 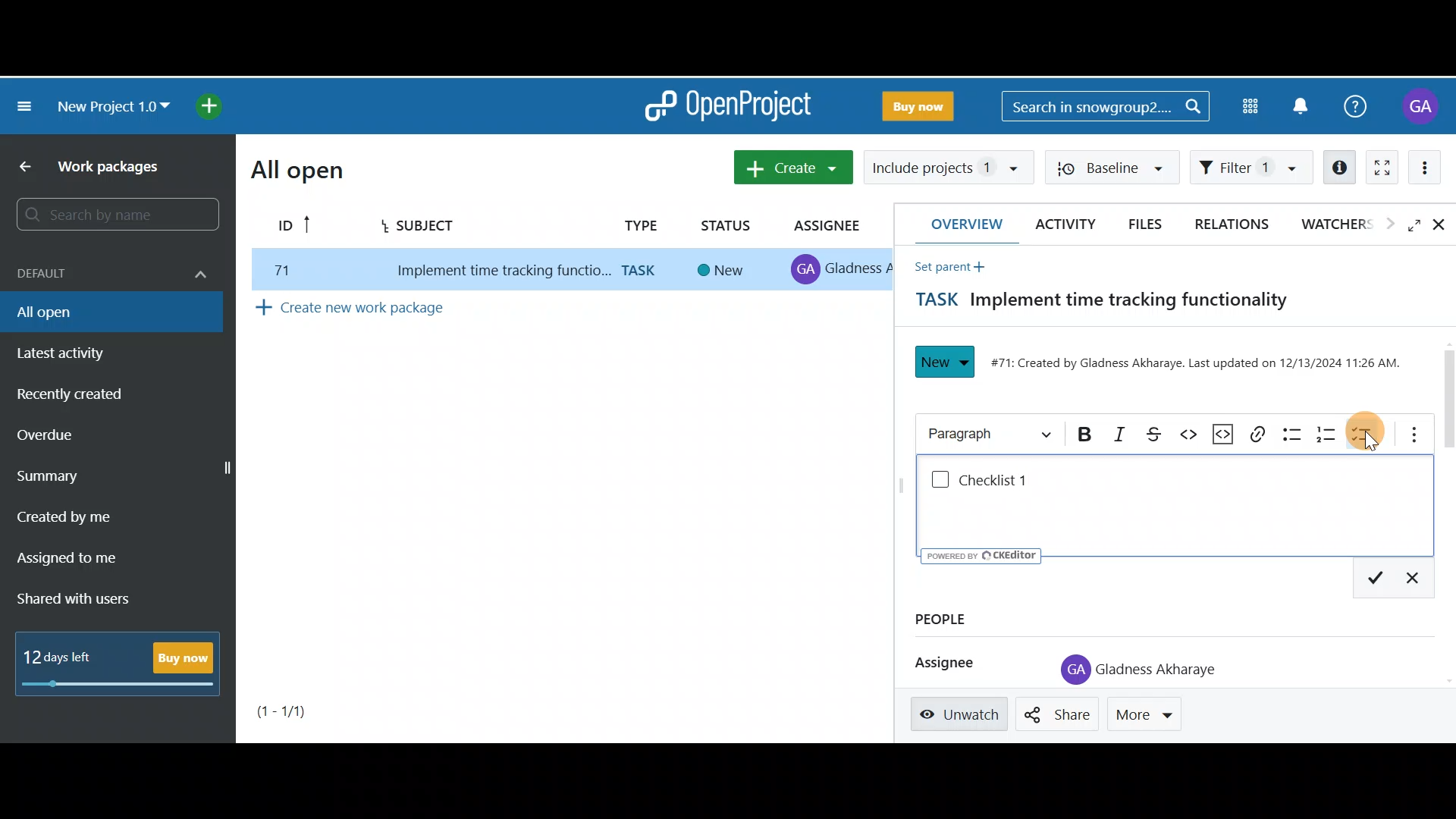 What do you see at coordinates (1062, 224) in the screenshot?
I see `Activity` at bounding box center [1062, 224].